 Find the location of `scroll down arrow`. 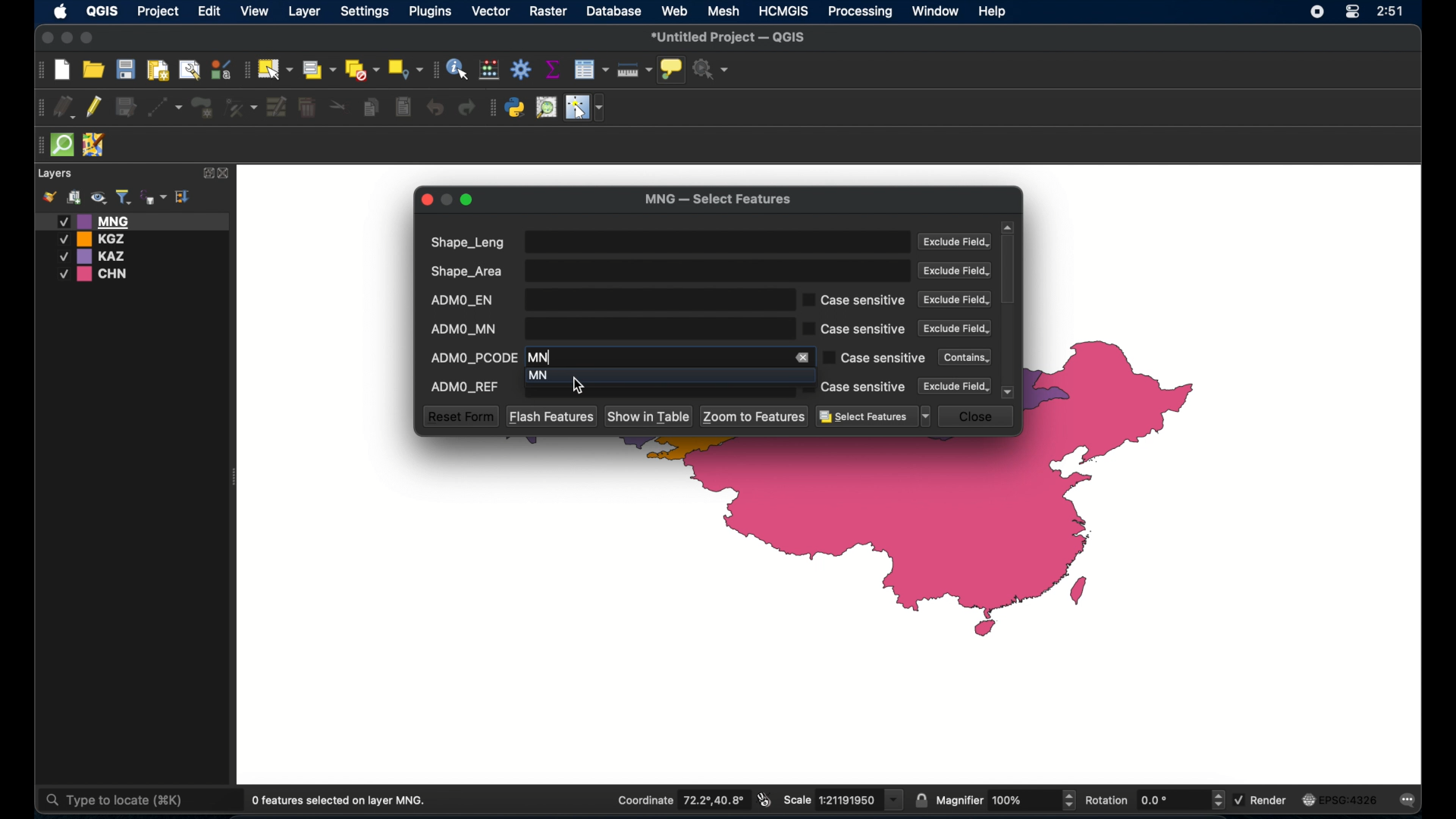

scroll down arrow is located at coordinates (1009, 392).